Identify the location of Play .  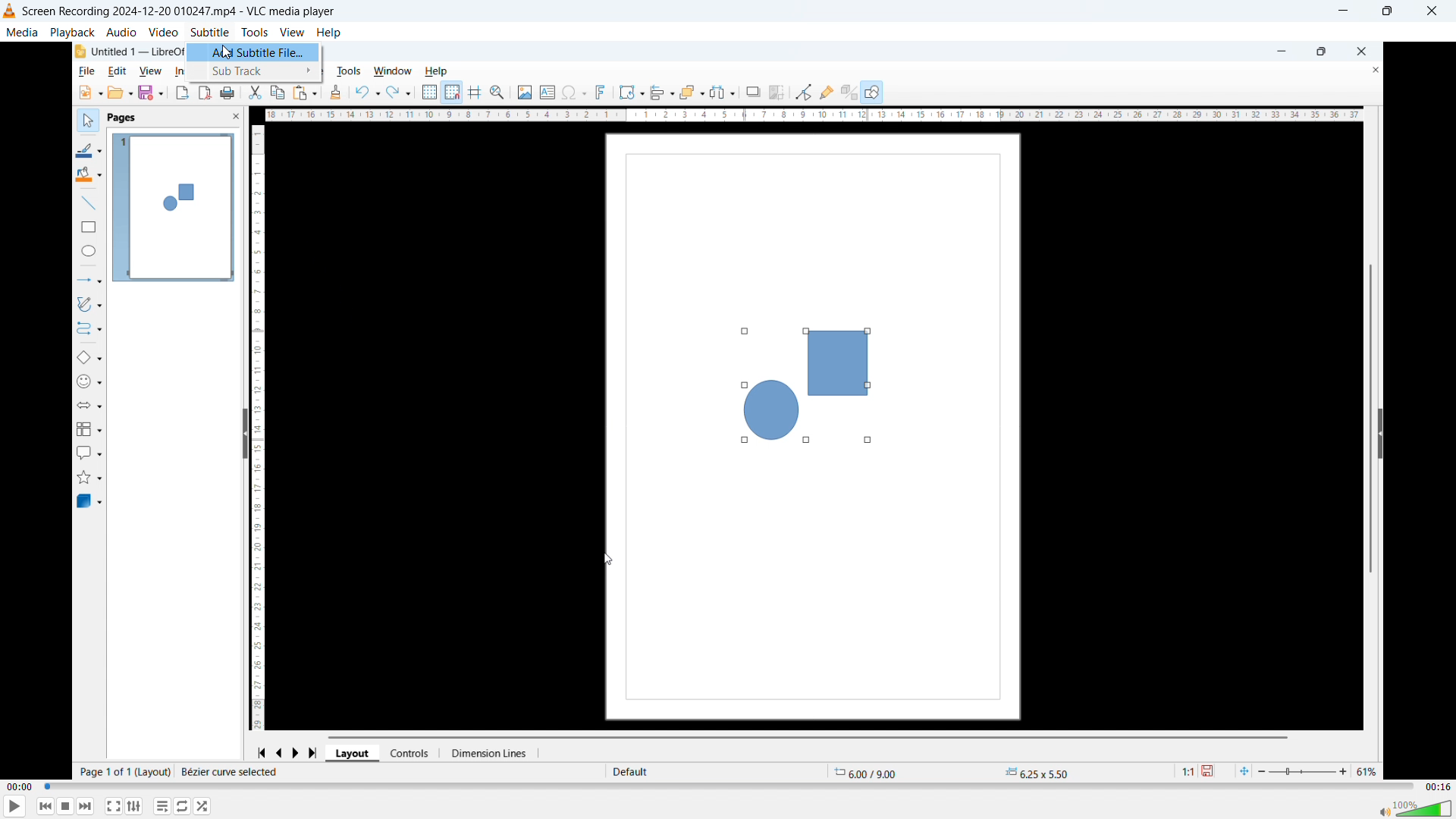
(15, 807).